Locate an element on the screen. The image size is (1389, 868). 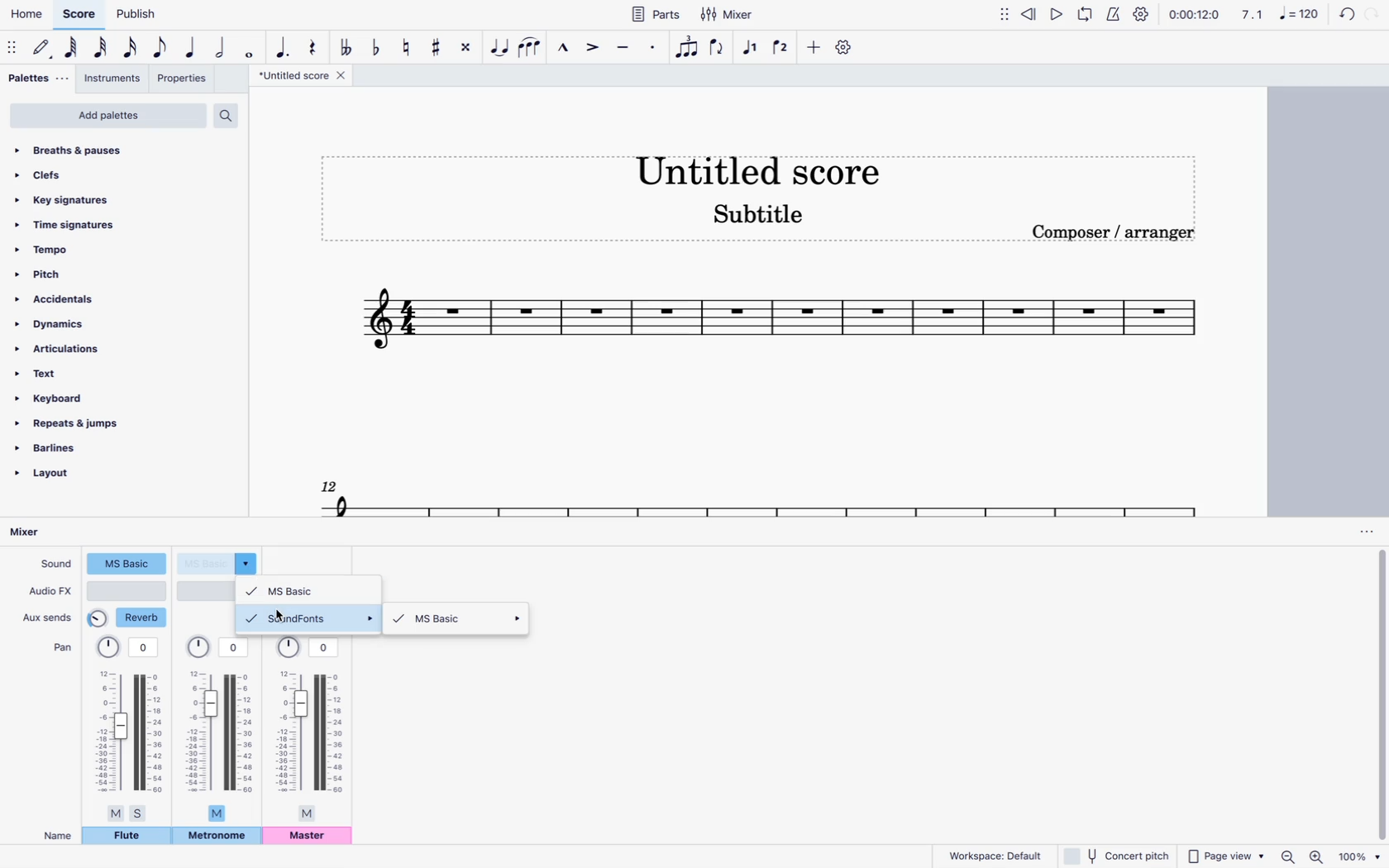
aux sends is located at coordinates (50, 617).